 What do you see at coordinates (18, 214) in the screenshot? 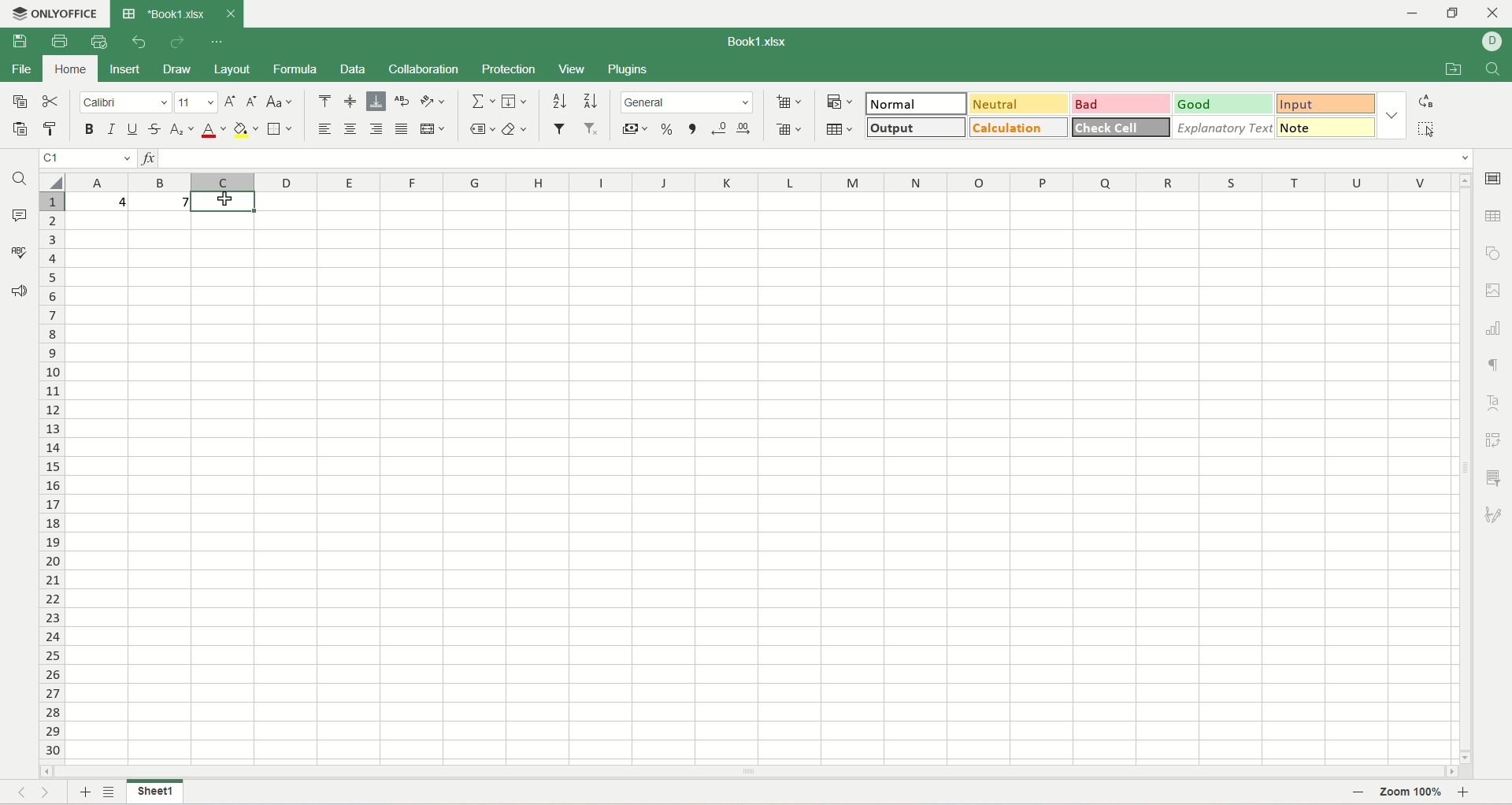
I see `comments` at bounding box center [18, 214].